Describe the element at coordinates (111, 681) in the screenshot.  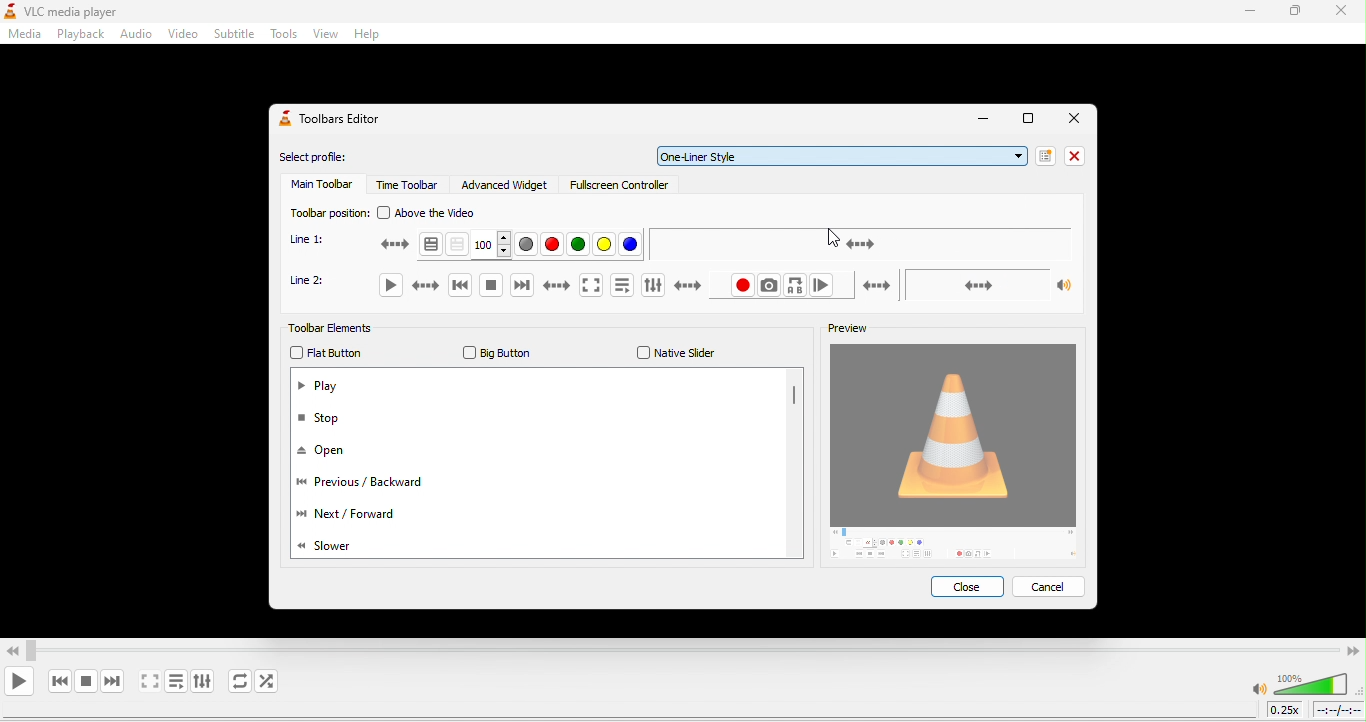
I see `next media` at that location.